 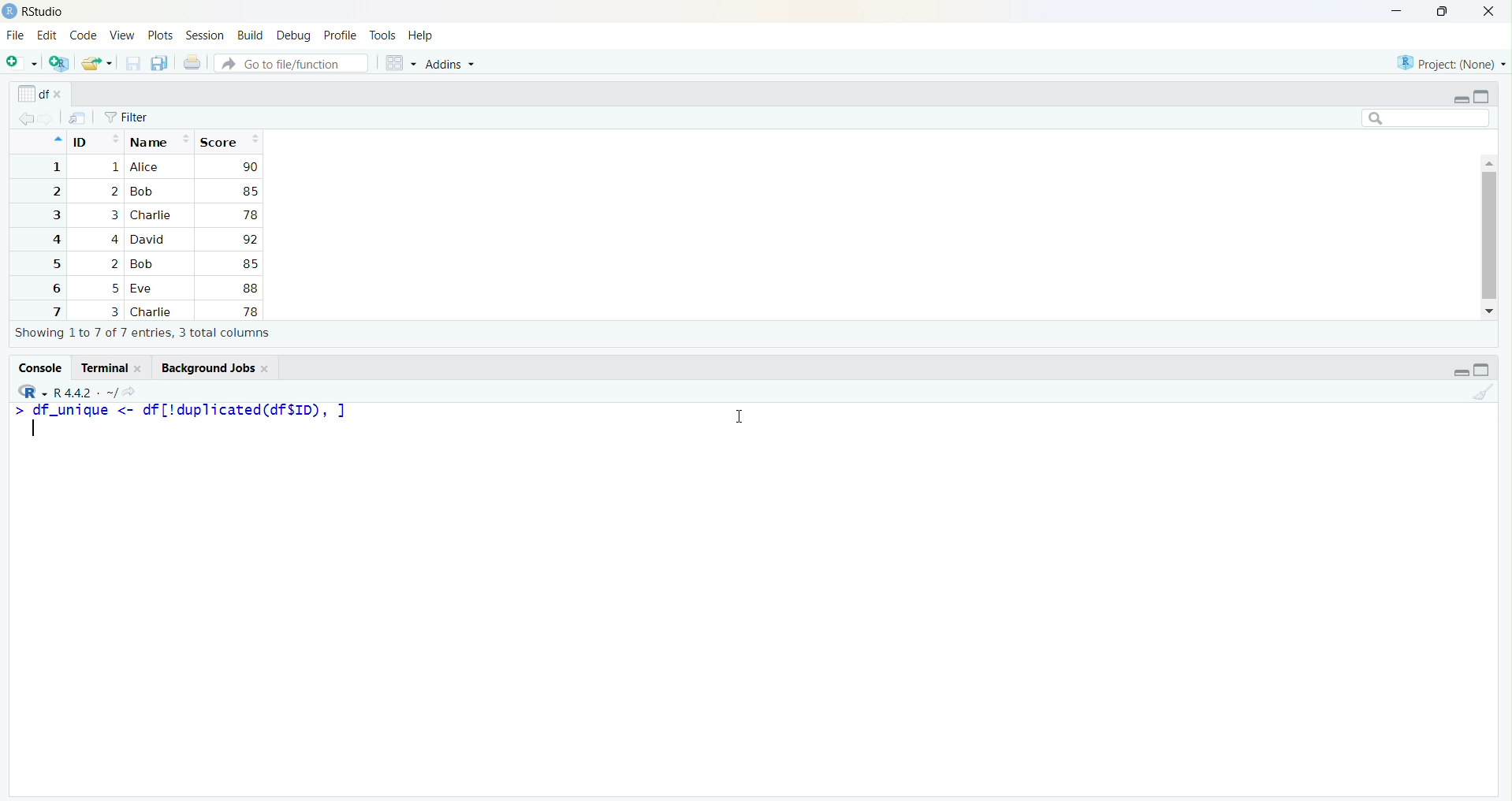 What do you see at coordinates (145, 289) in the screenshot?
I see `Eve` at bounding box center [145, 289].